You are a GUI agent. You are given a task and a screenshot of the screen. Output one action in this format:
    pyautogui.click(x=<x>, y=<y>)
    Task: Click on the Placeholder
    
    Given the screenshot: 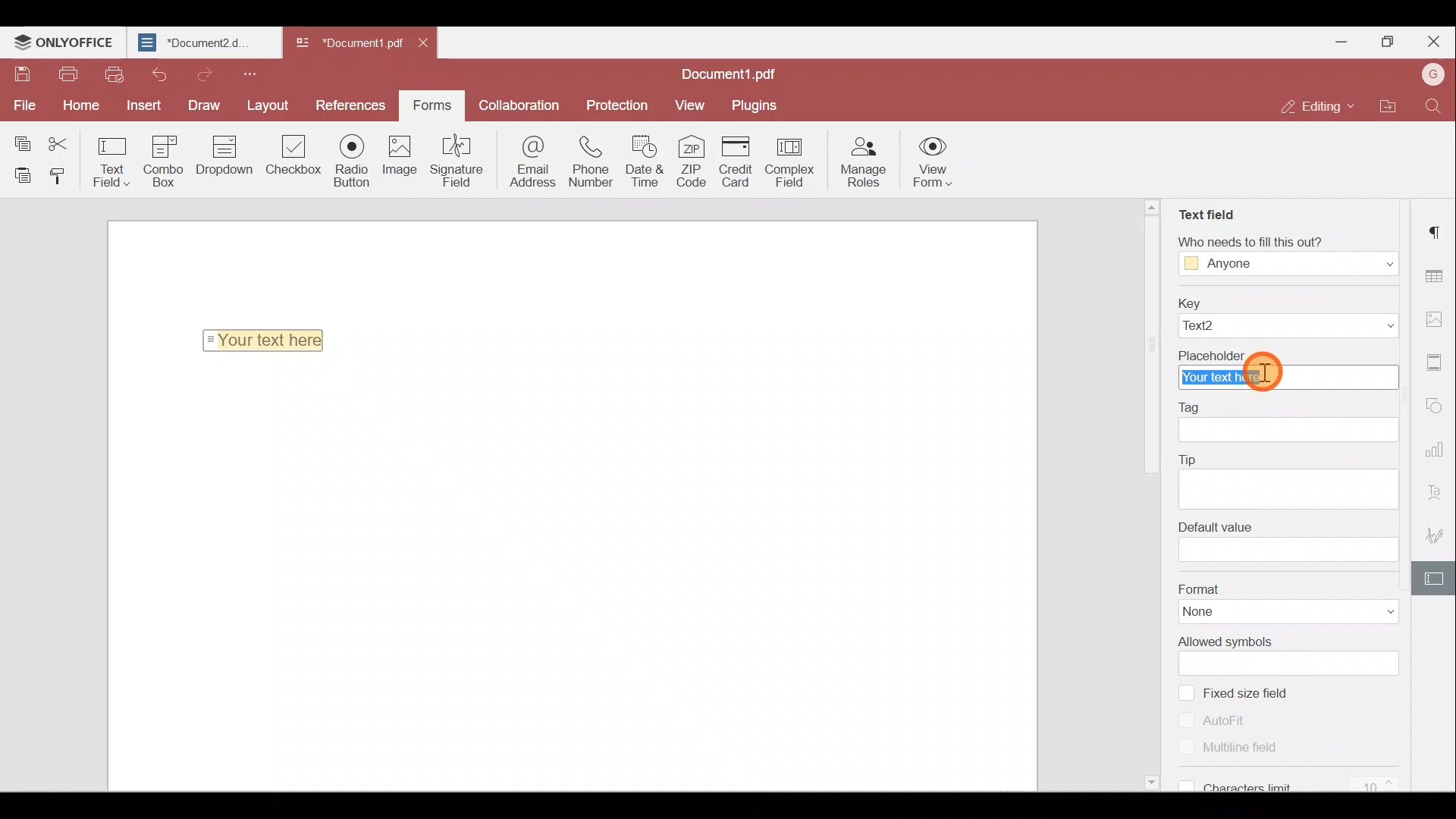 What is the action you would take?
    pyautogui.click(x=1287, y=353)
    